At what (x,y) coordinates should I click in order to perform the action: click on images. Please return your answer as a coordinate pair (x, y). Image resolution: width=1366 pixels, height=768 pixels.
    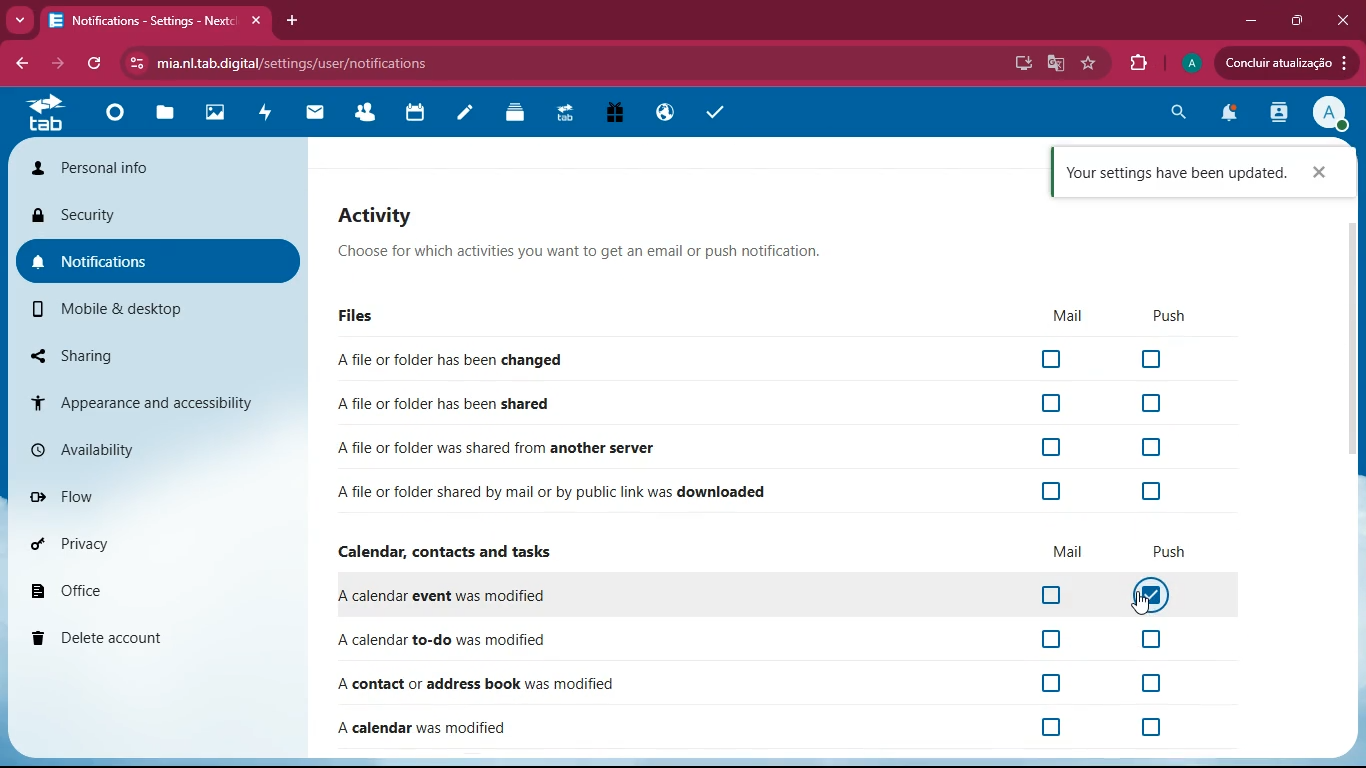
    Looking at the image, I should click on (219, 114).